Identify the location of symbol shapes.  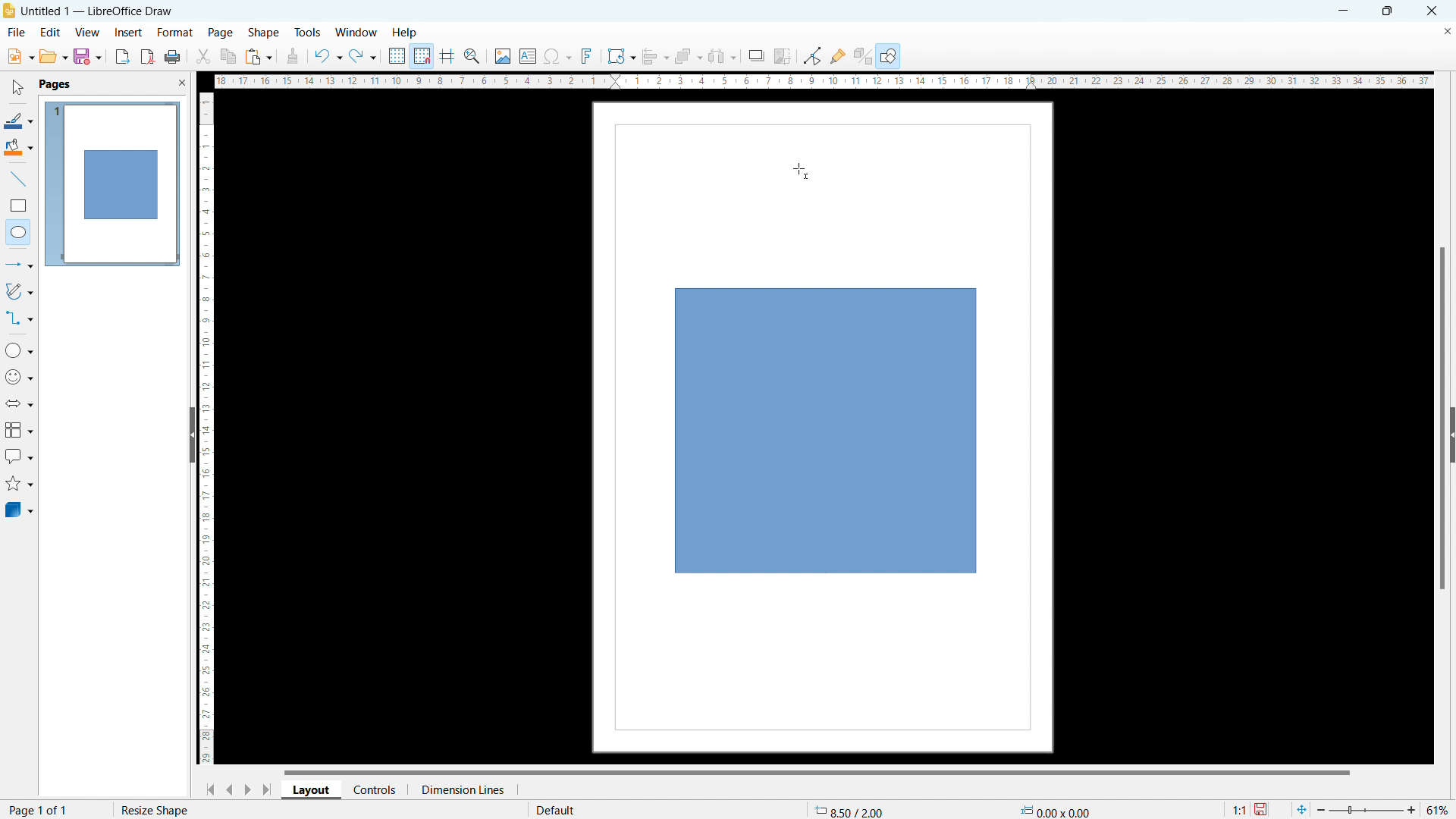
(20, 377).